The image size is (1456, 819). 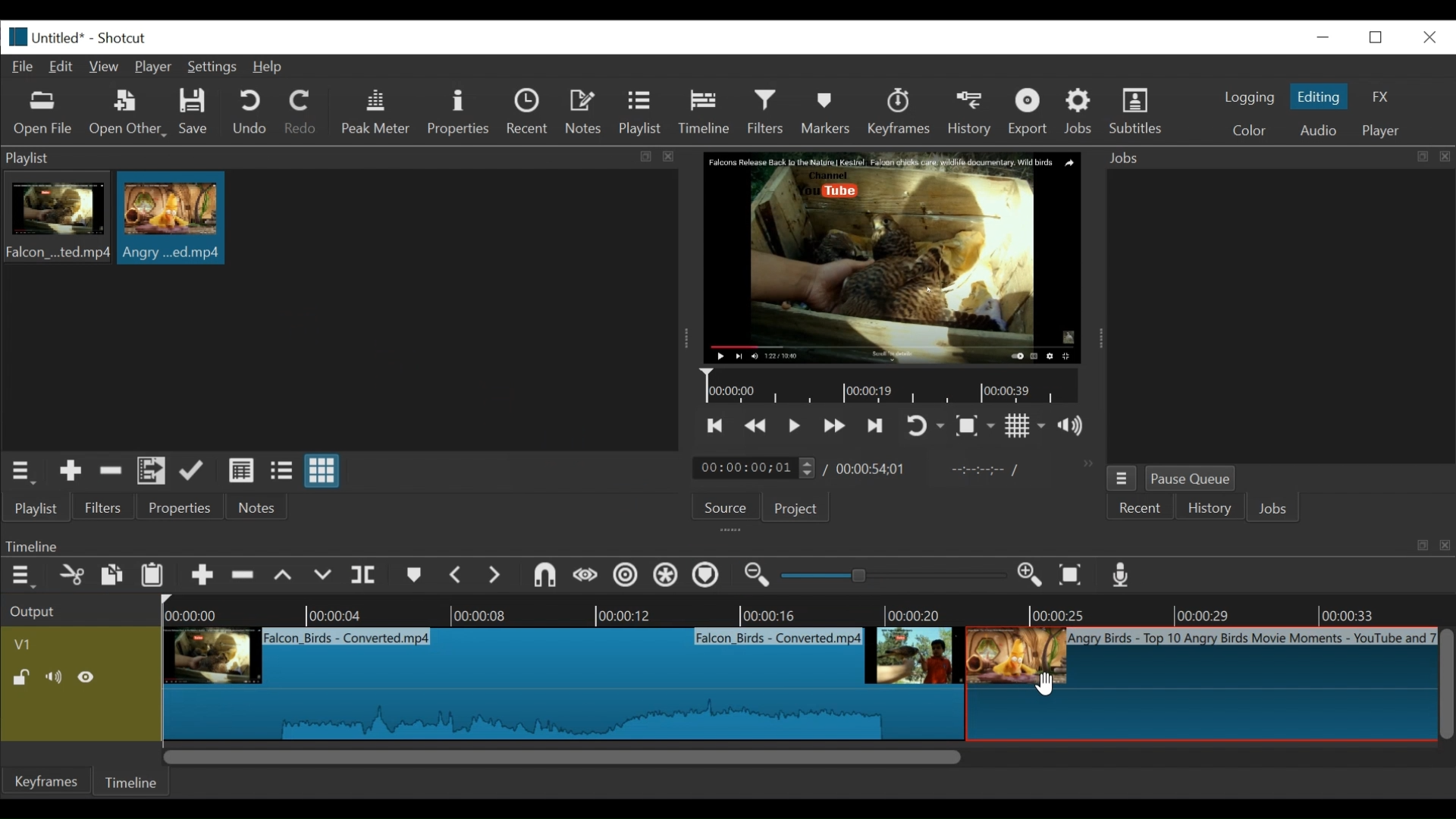 I want to click on close, so click(x=1428, y=36).